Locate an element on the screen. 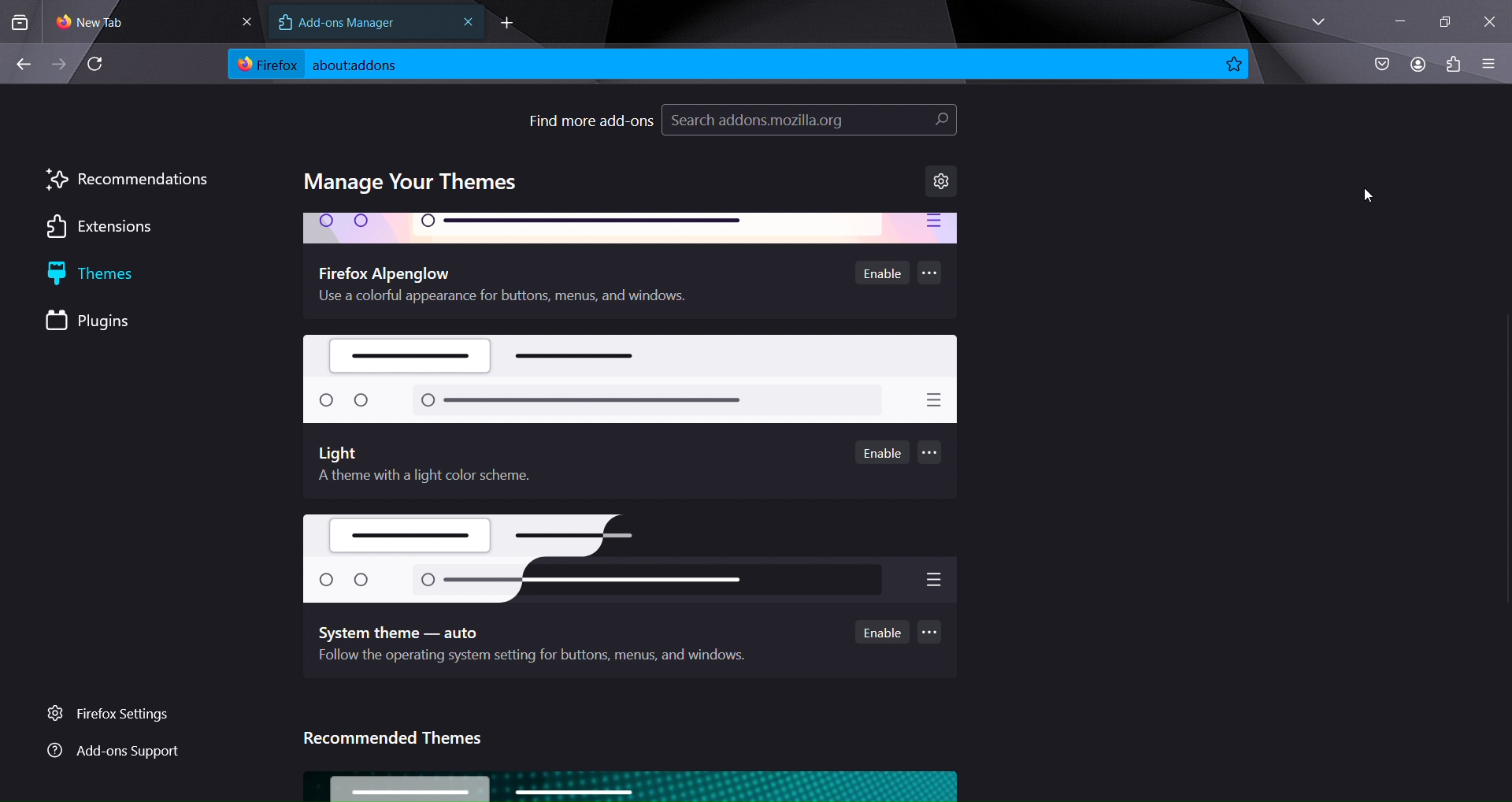 This screenshot has width=1512, height=802. settings is located at coordinates (942, 181).